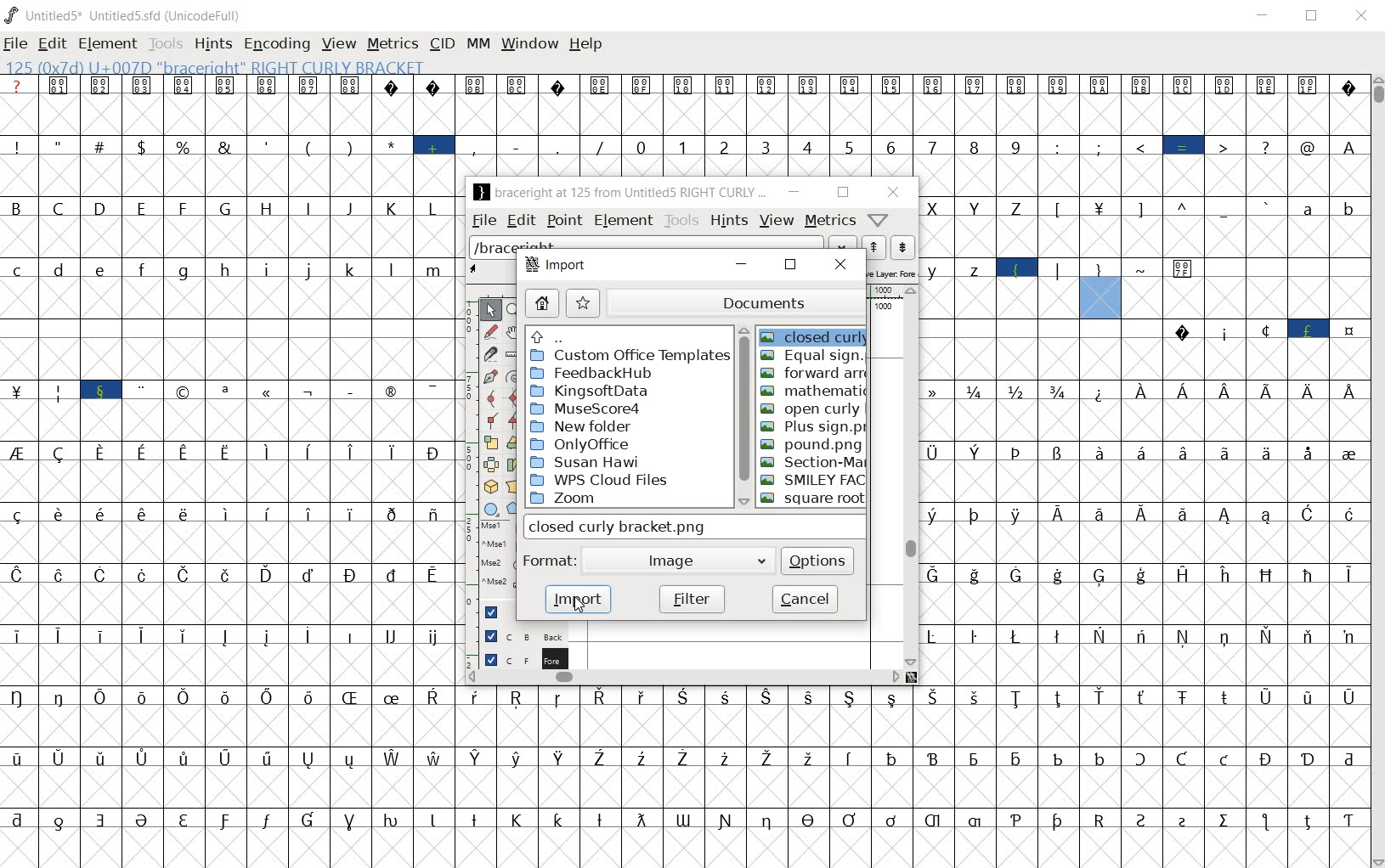  What do you see at coordinates (913, 126) in the screenshot?
I see `glyph characters` at bounding box center [913, 126].